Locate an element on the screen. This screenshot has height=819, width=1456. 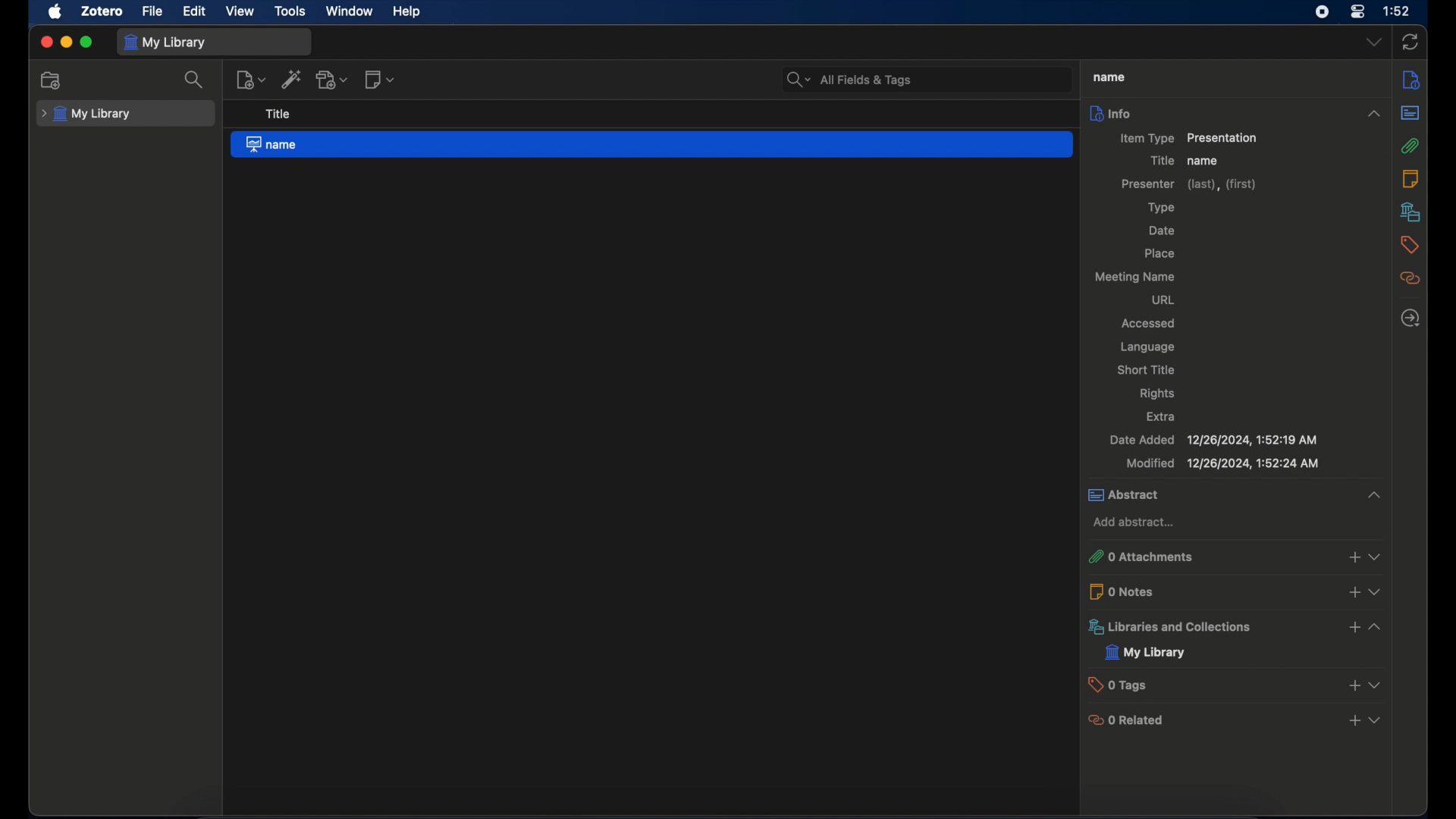
date is located at coordinates (1163, 231).